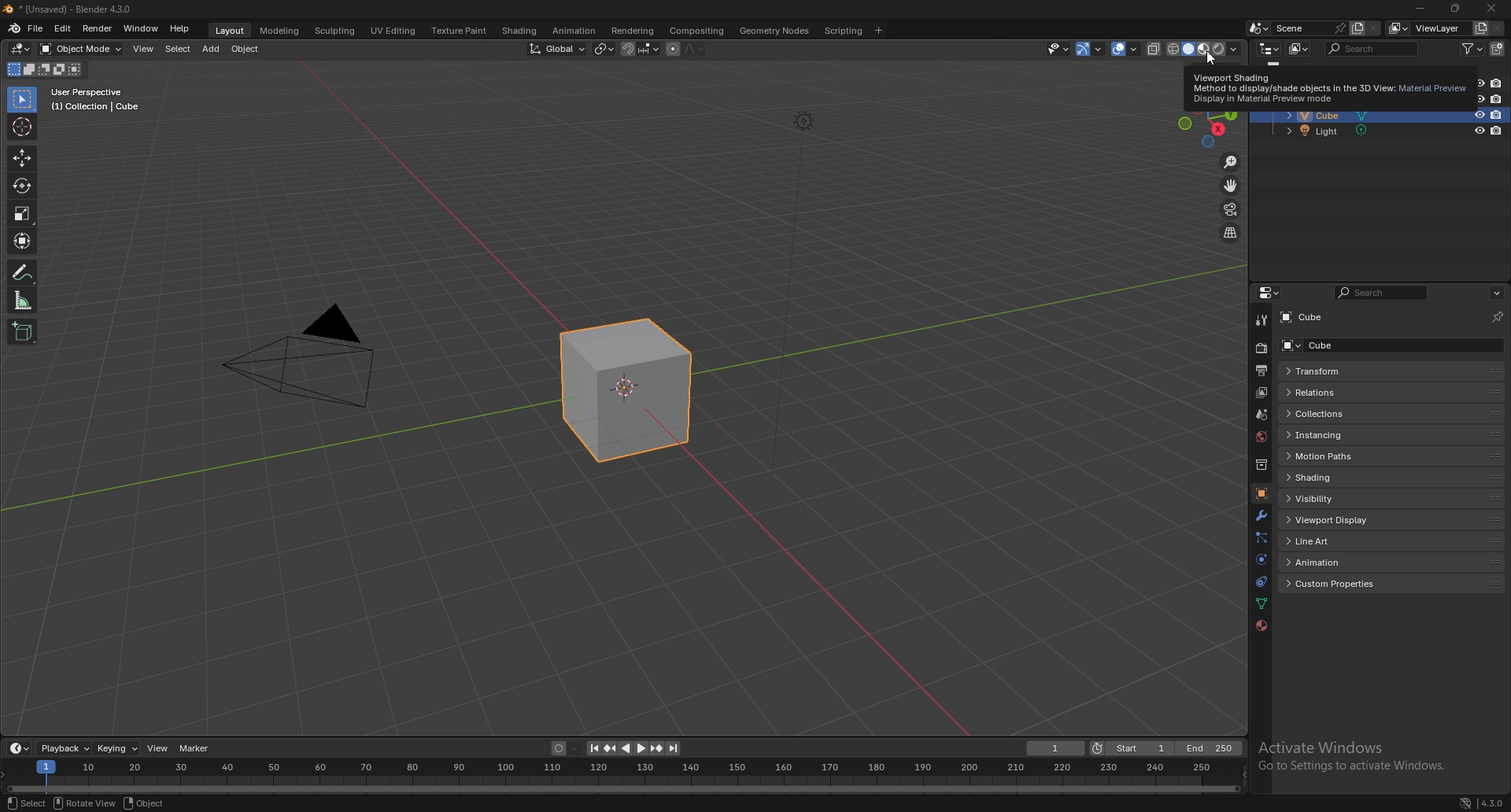 The height and width of the screenshot is (812, 1511). I want to click on rendering, so click(634, 31).